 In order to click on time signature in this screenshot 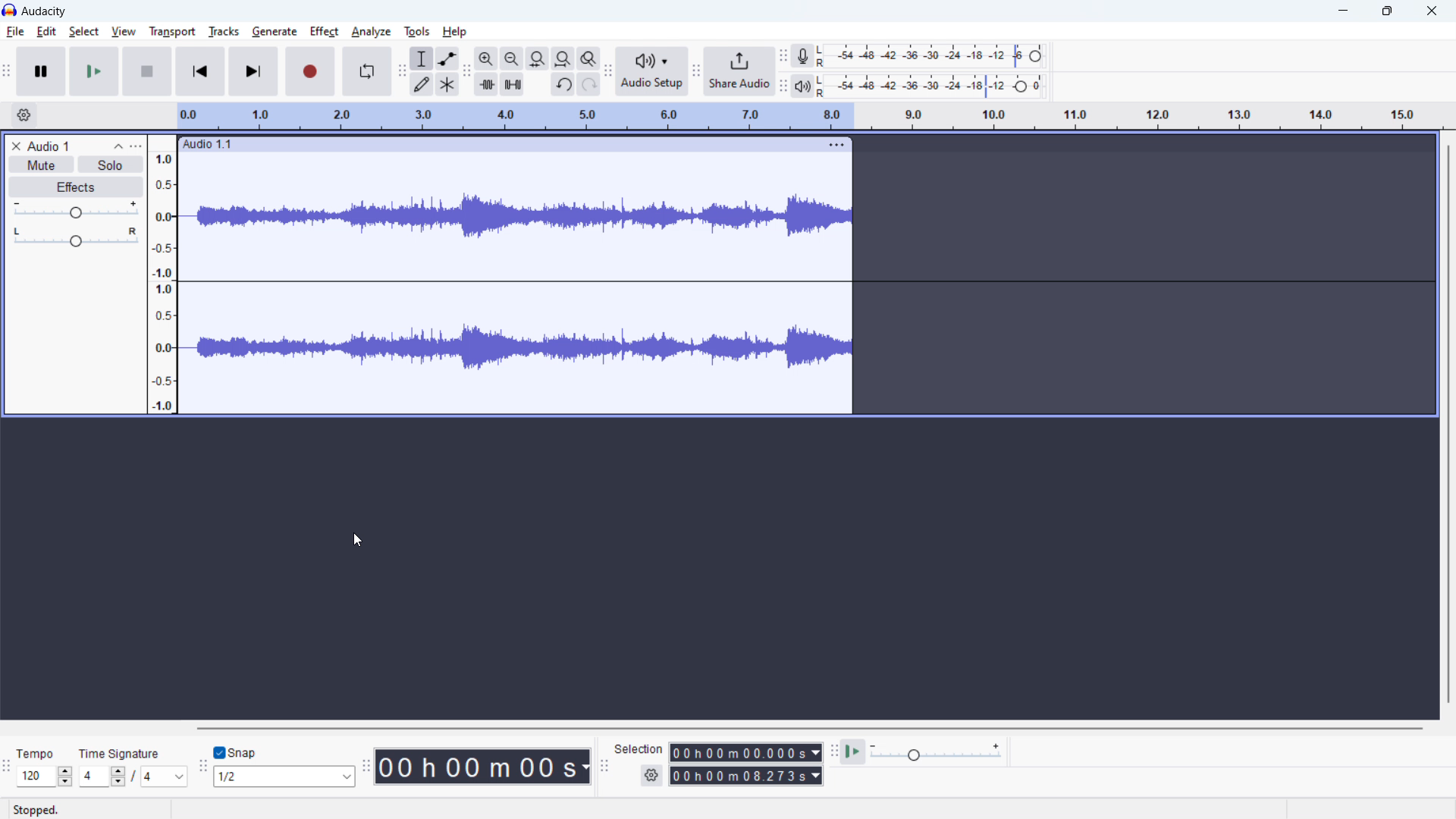, I will do `click(133, 777)`.